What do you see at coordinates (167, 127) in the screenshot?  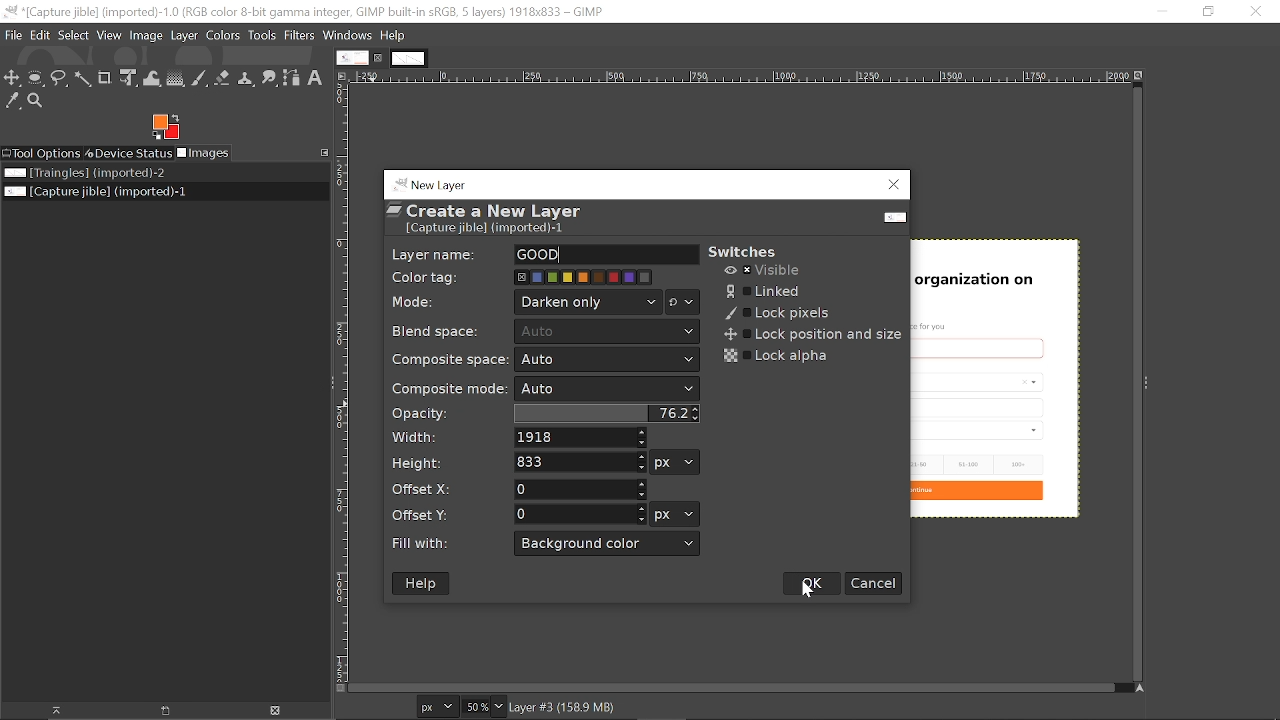 I see `Foreground tool` at bounding box center [167, 127].